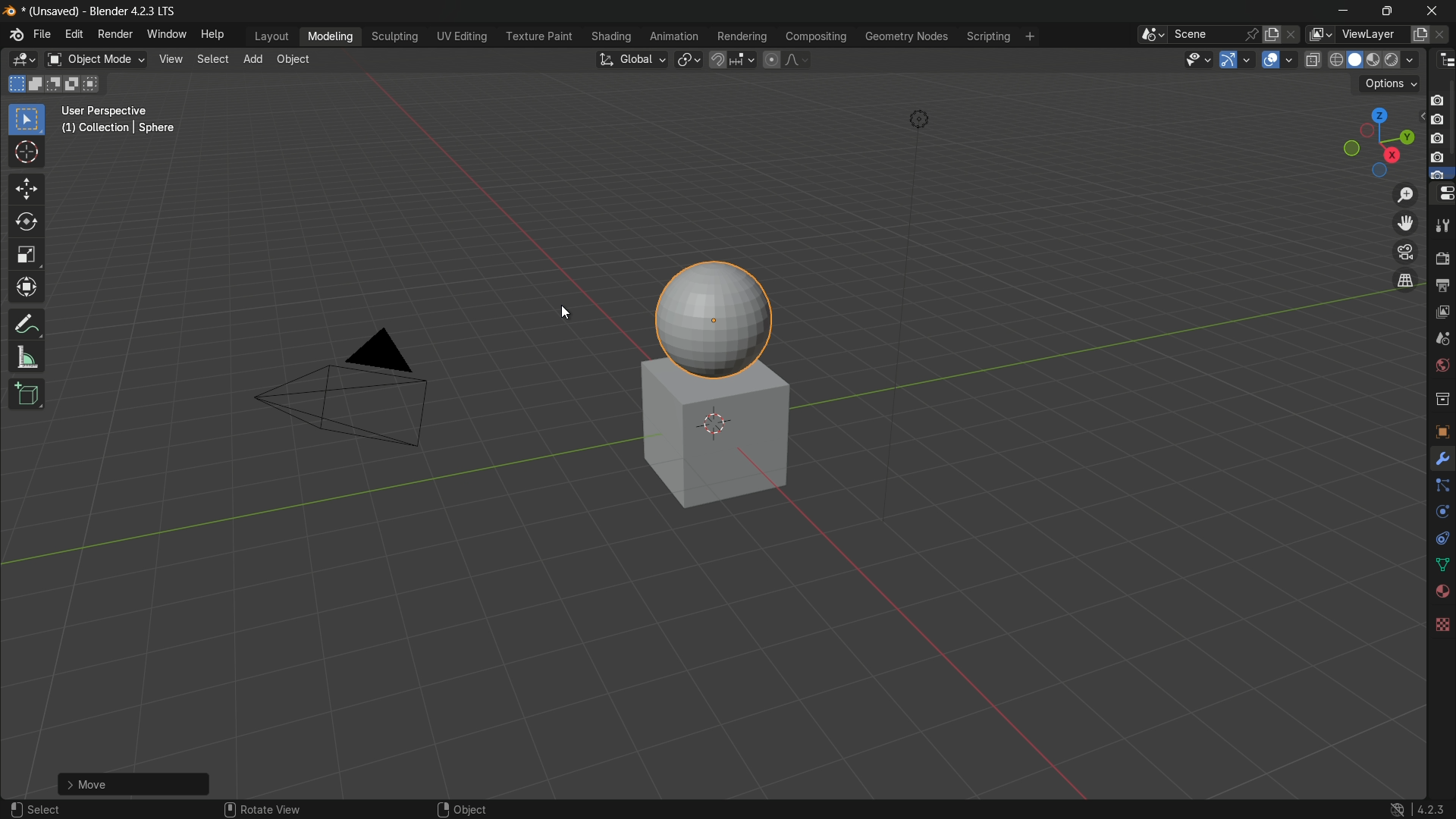  I want to click on selectability and visibility, so click(1199, 61).